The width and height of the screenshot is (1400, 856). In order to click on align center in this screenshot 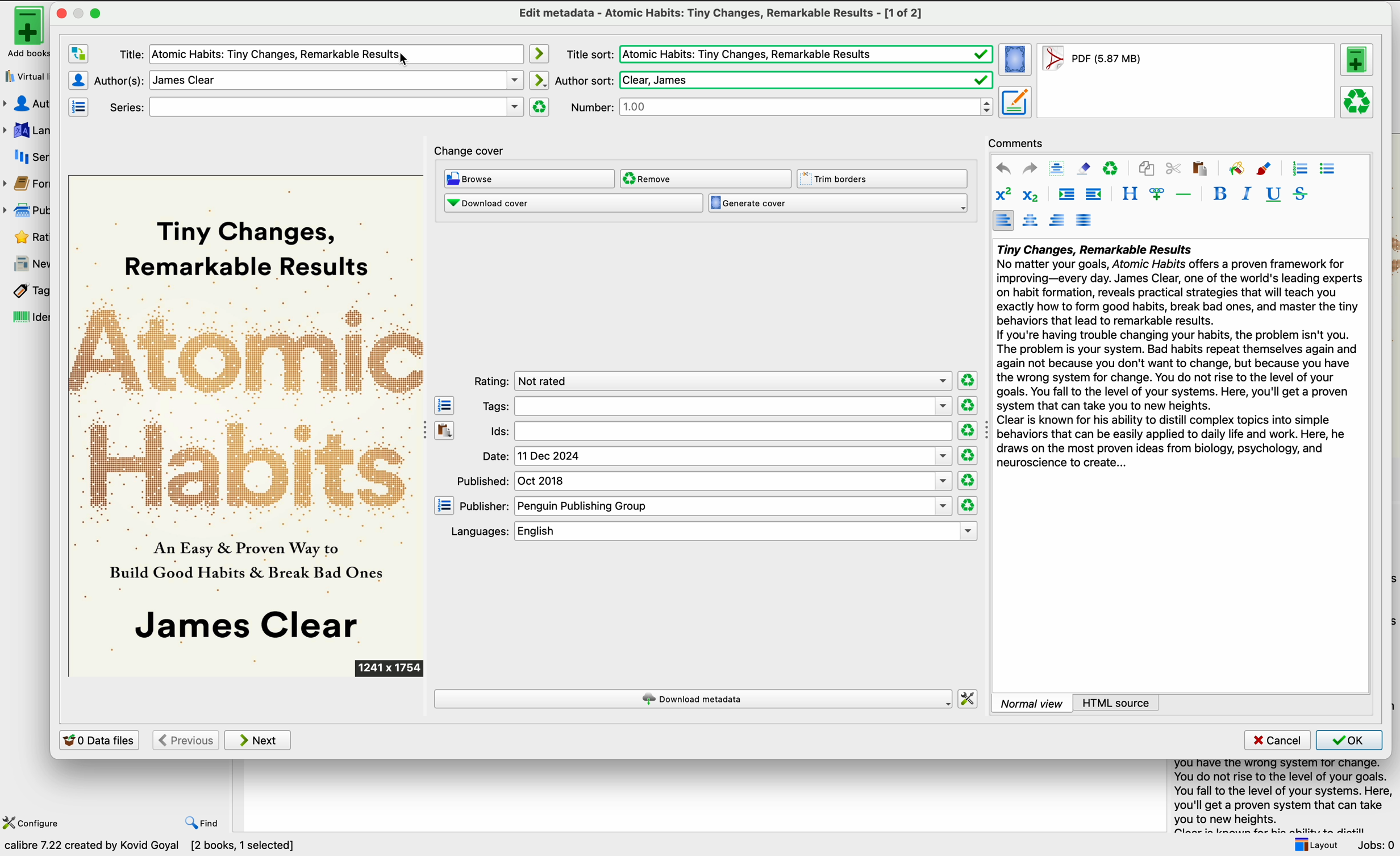, I will do `click(1030, 221)`.